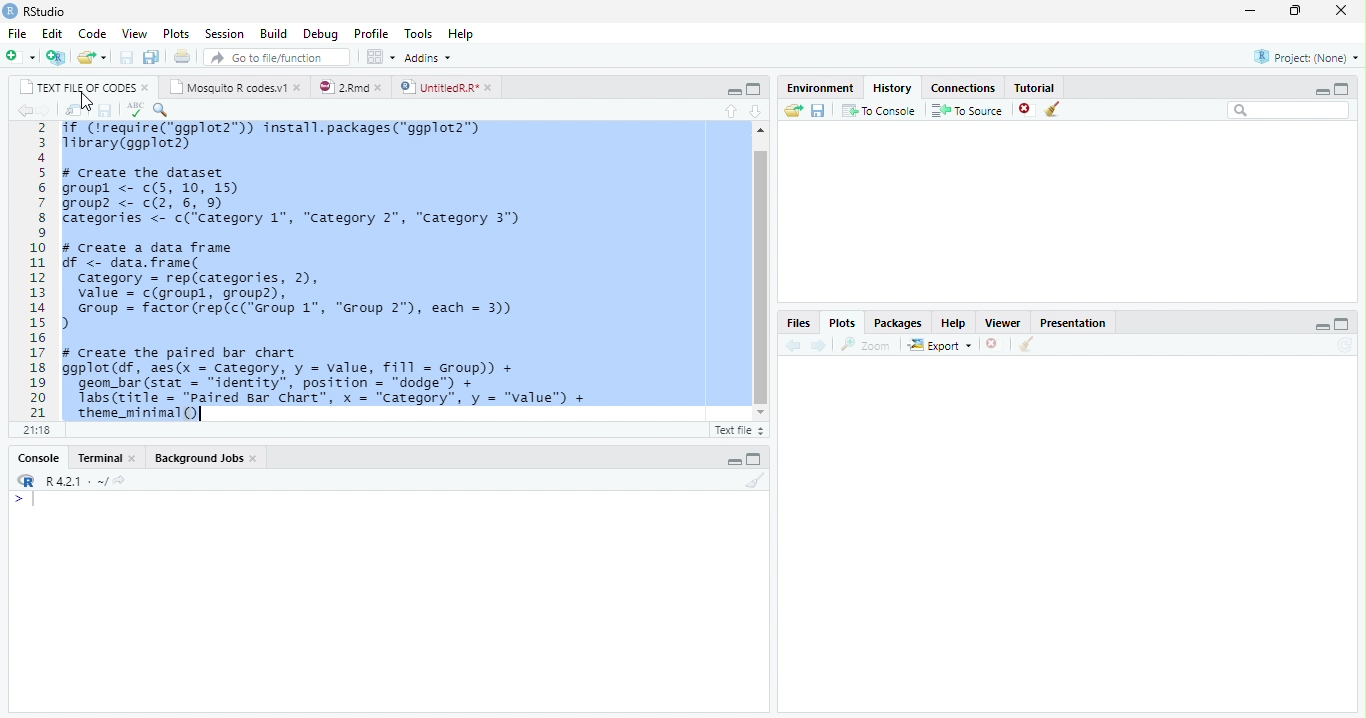  Describe the element at coordinates (26, 480) in the screenshot. I see `logo` at that location.